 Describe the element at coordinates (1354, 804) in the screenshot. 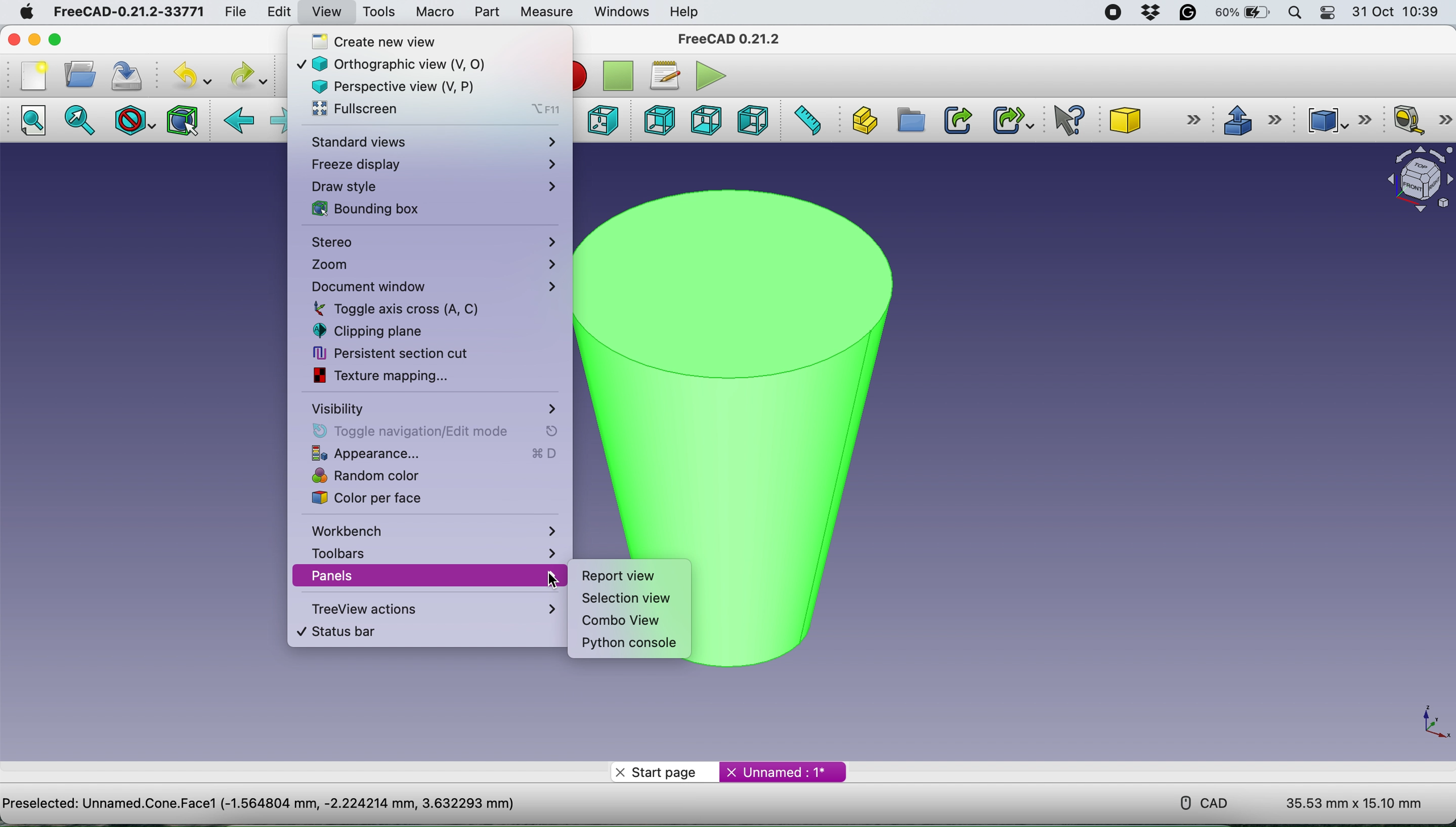

I see `dimensions` at that location.